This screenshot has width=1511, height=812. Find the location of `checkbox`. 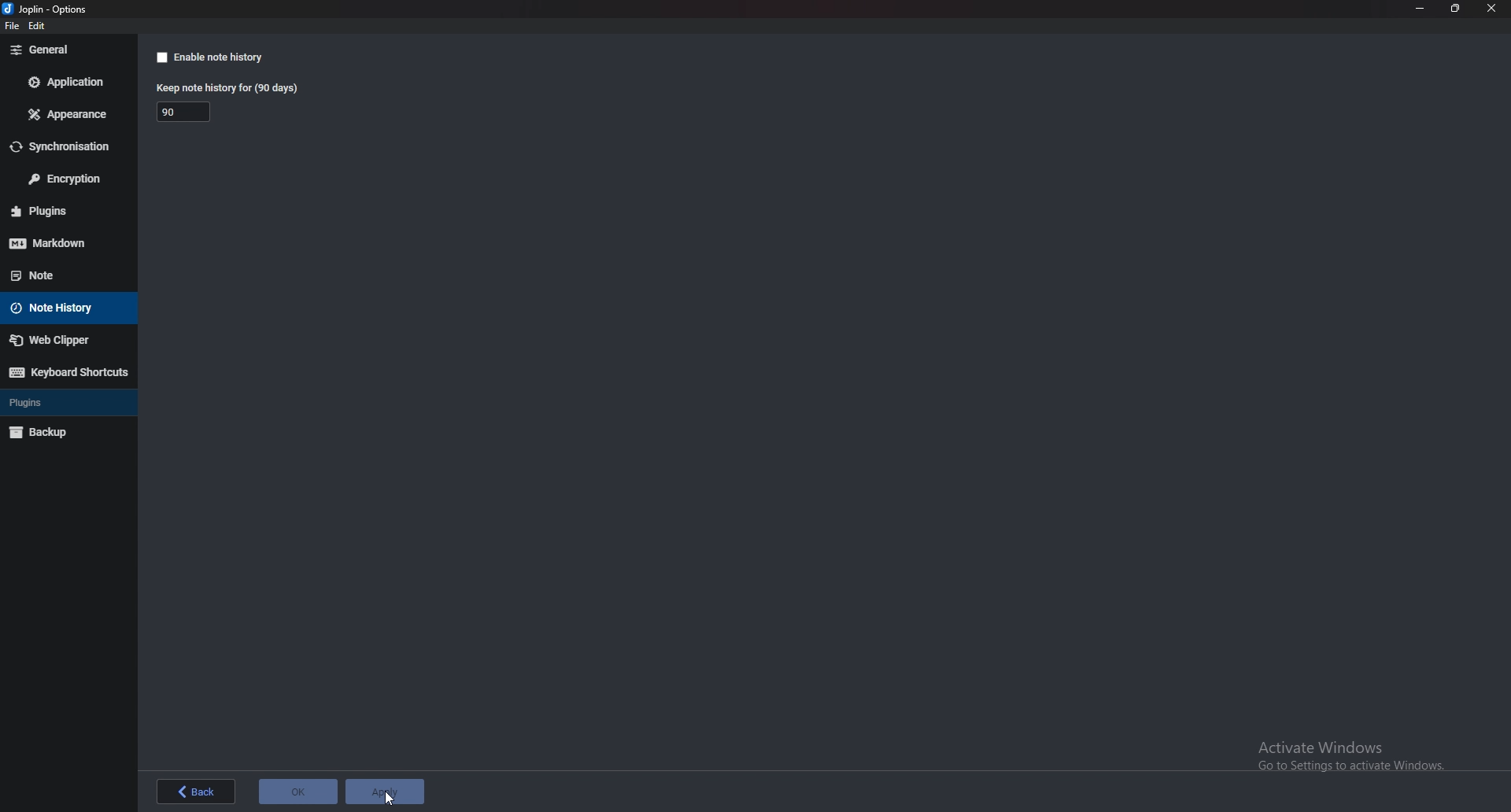

checkbox is located at coordinates (161, 58).